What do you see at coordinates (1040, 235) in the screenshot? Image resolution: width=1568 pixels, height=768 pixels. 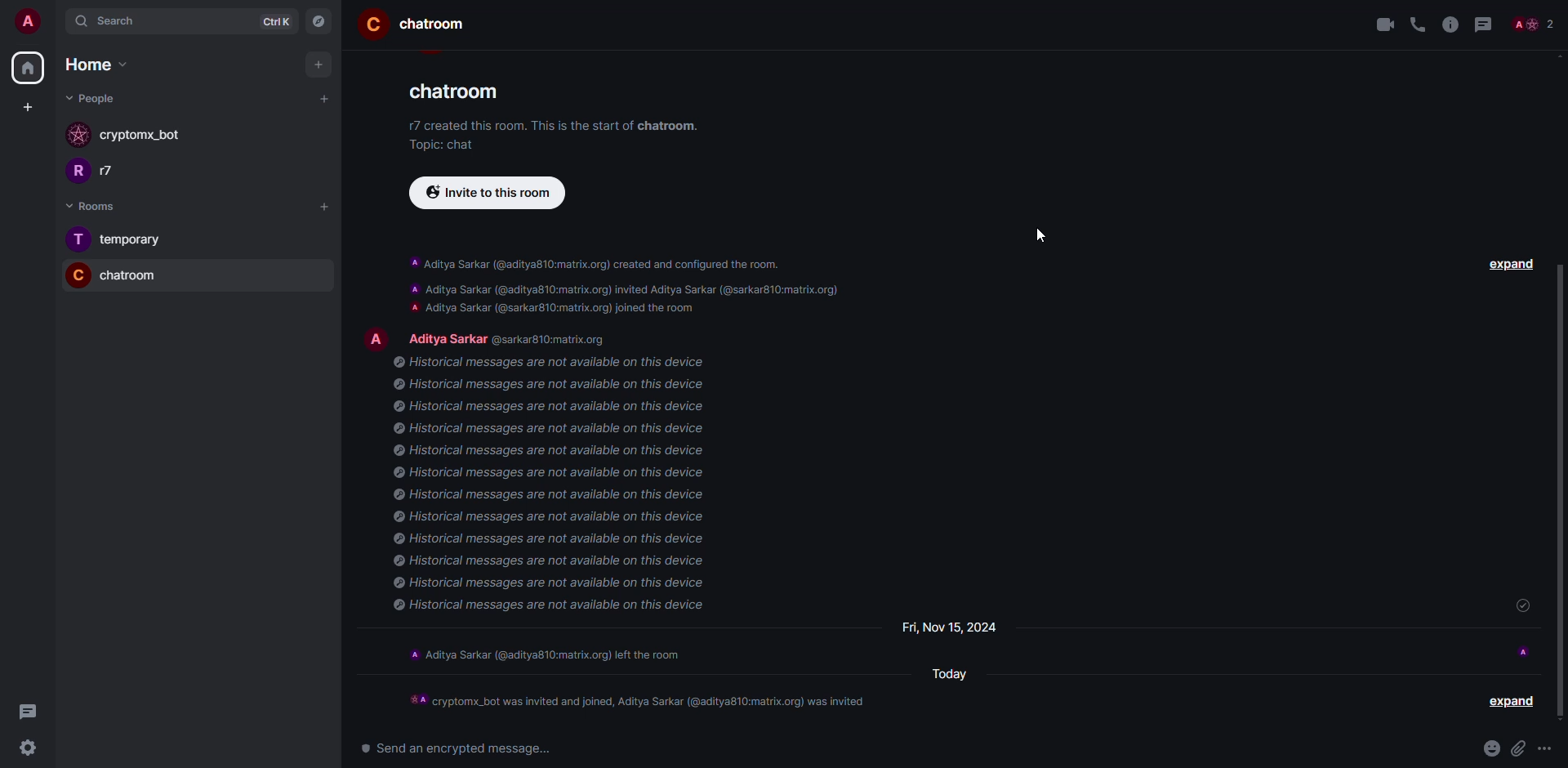 I see `cursor` at bounding box center [1040, 235].